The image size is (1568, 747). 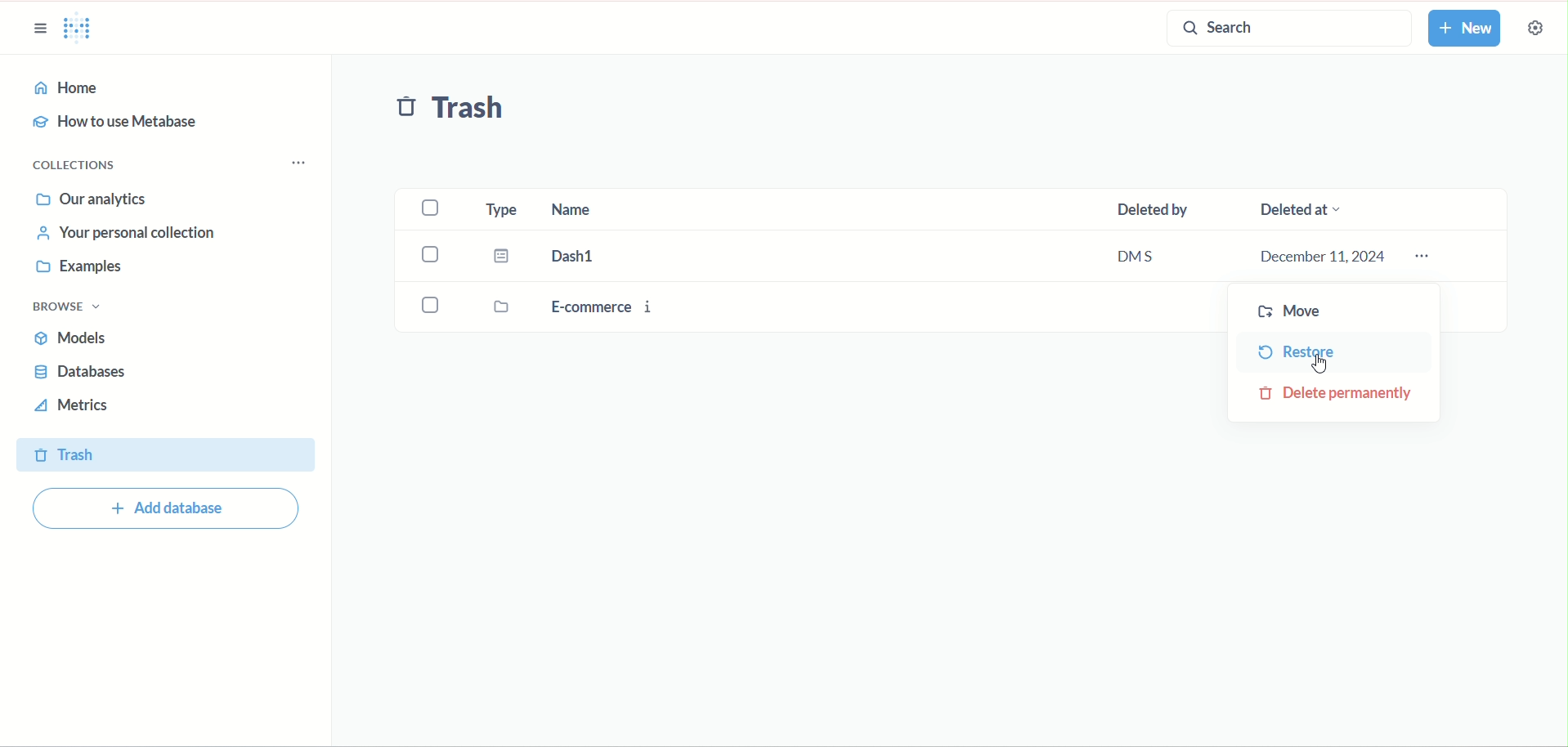 What do you see at coordinates (1283, 28) in the screenshot?
I see `search` at bounding box center [1283, 28].